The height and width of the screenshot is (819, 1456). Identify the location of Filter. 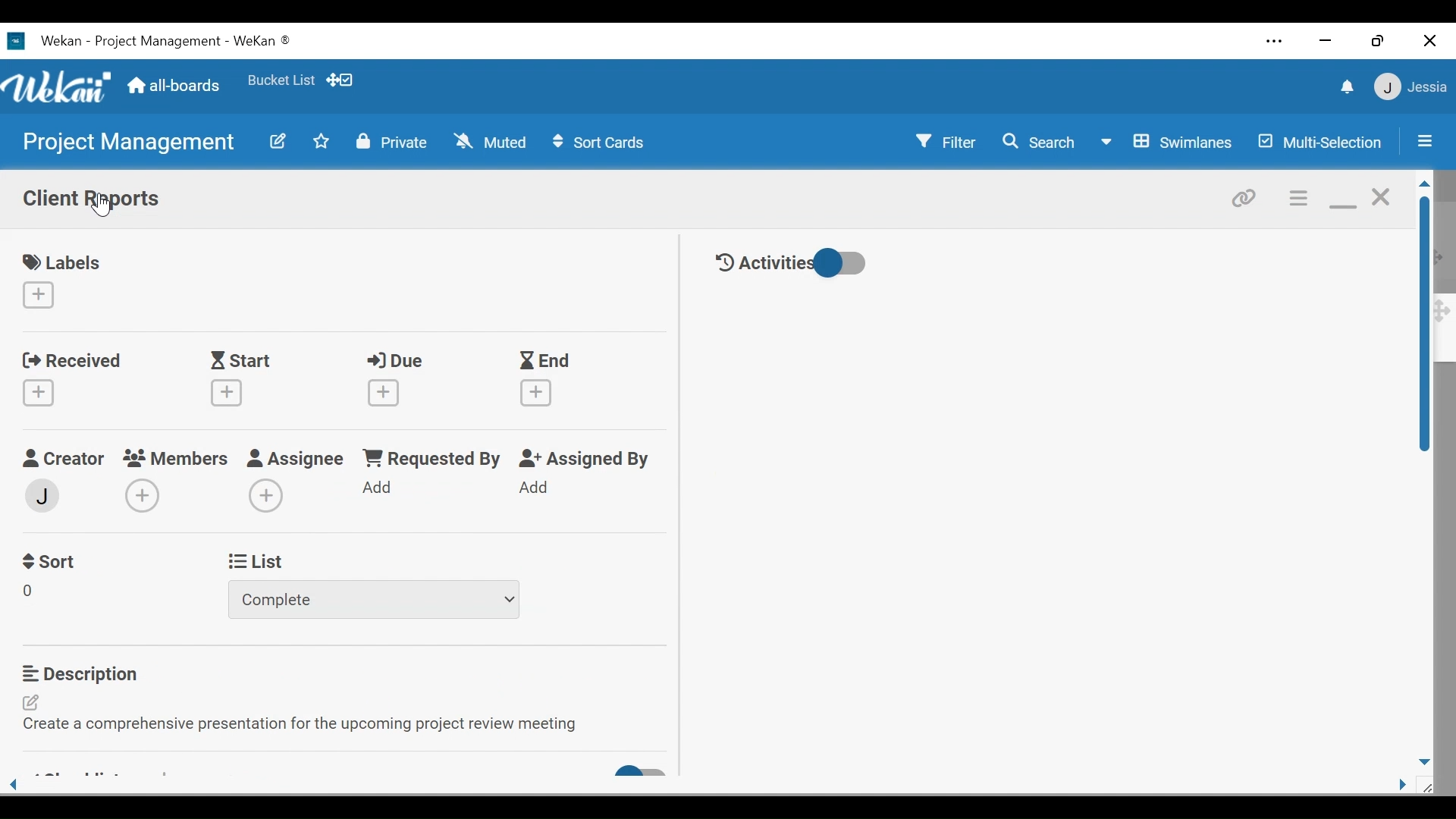
(945, 143).